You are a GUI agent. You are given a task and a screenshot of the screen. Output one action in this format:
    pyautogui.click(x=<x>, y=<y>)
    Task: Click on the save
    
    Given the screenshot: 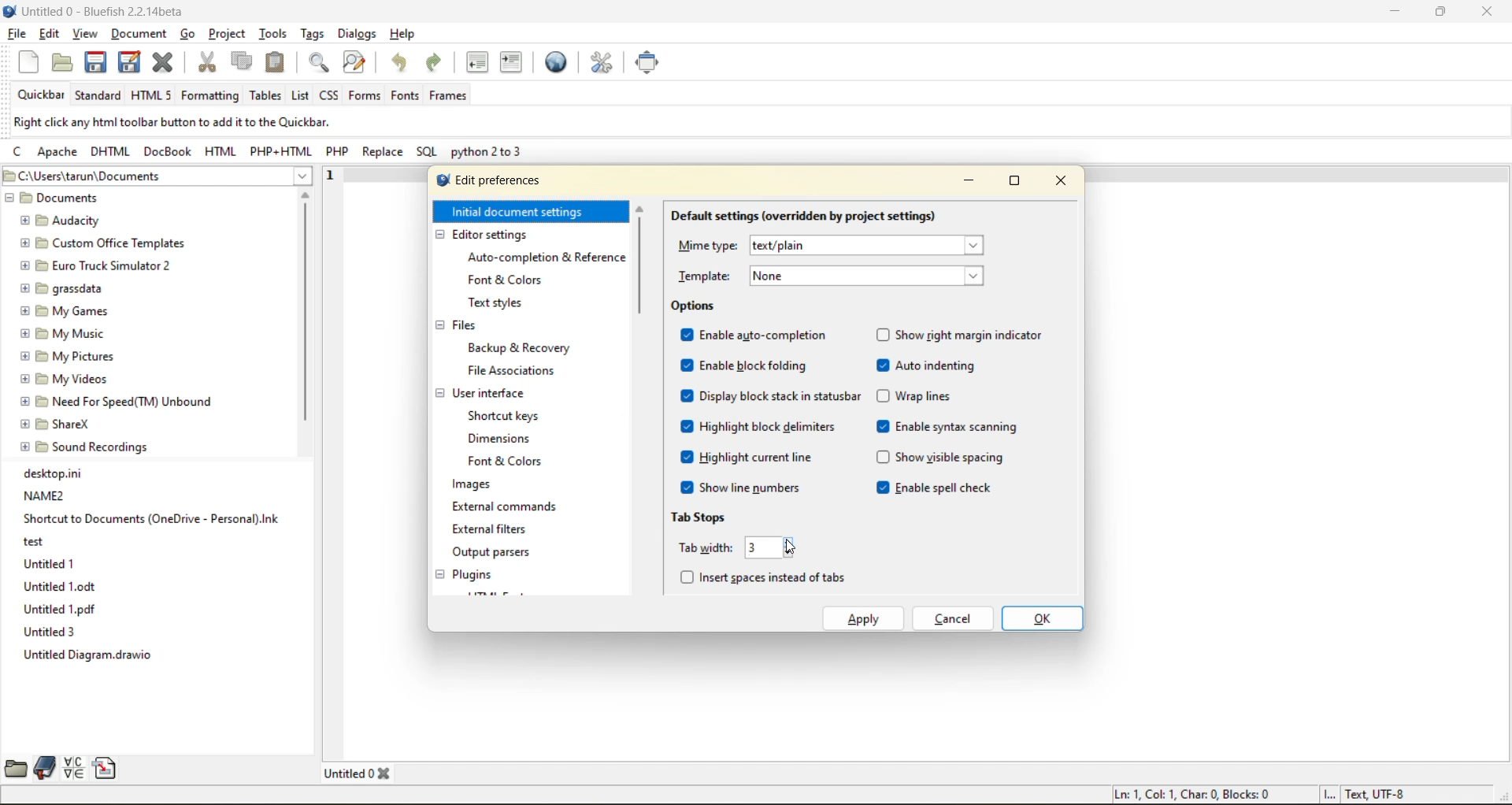 What is the action you would take?
    pyautogui.click(x=92, y=62)
    